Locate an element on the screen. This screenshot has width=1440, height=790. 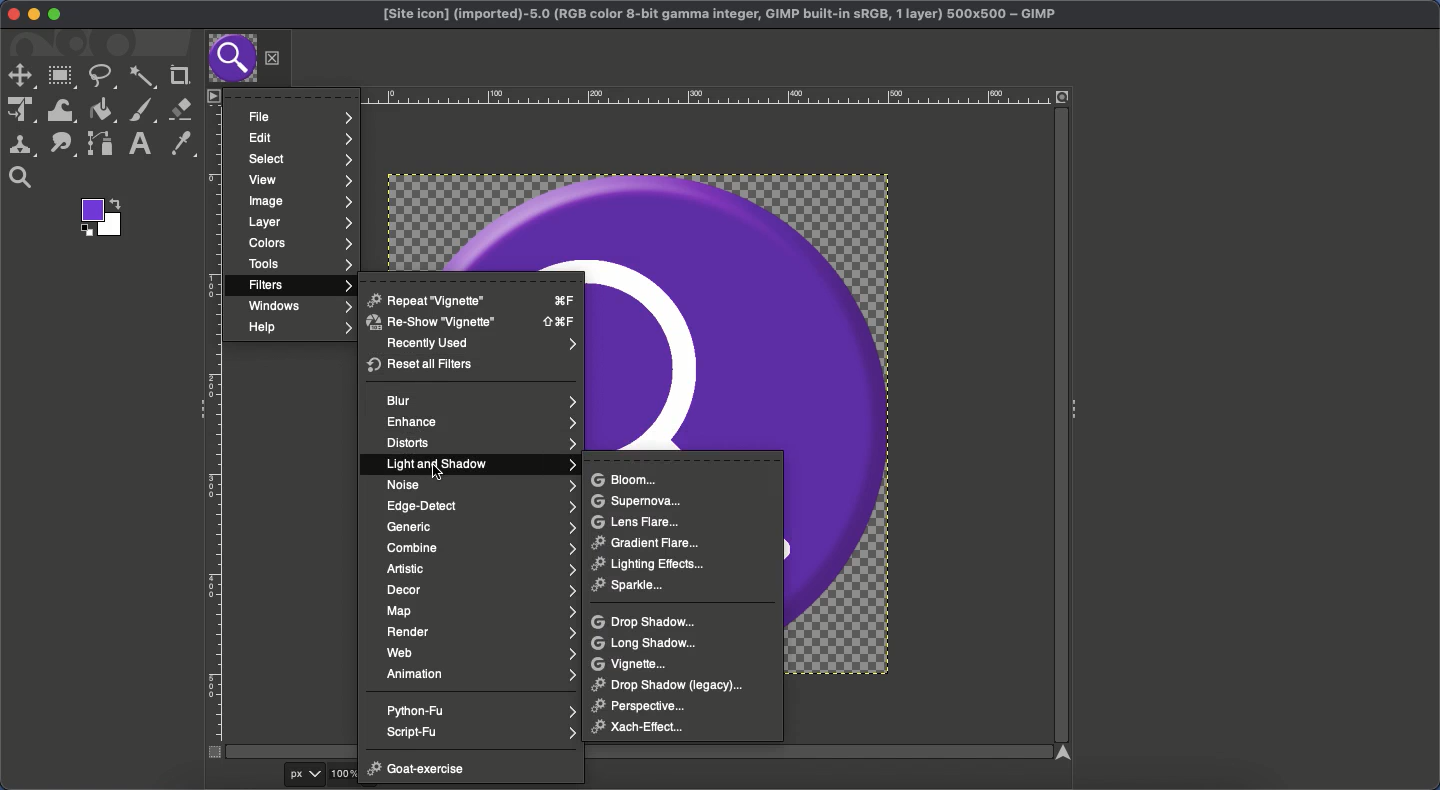
Light and shadow is located at coordinates (481, 466).